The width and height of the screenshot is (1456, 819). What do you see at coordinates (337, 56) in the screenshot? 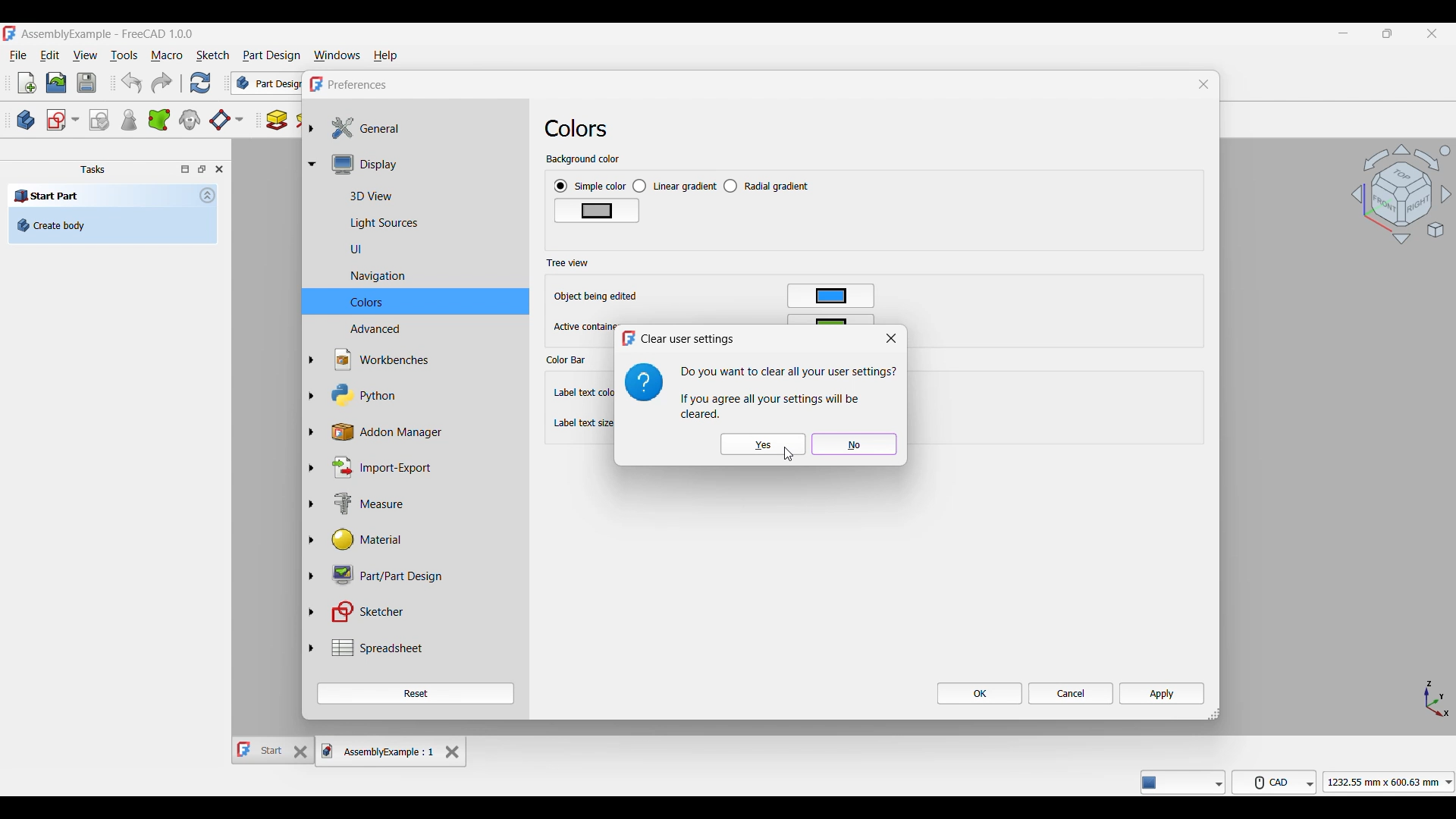
I see `Windows menu` at bounding box center [337, 56].